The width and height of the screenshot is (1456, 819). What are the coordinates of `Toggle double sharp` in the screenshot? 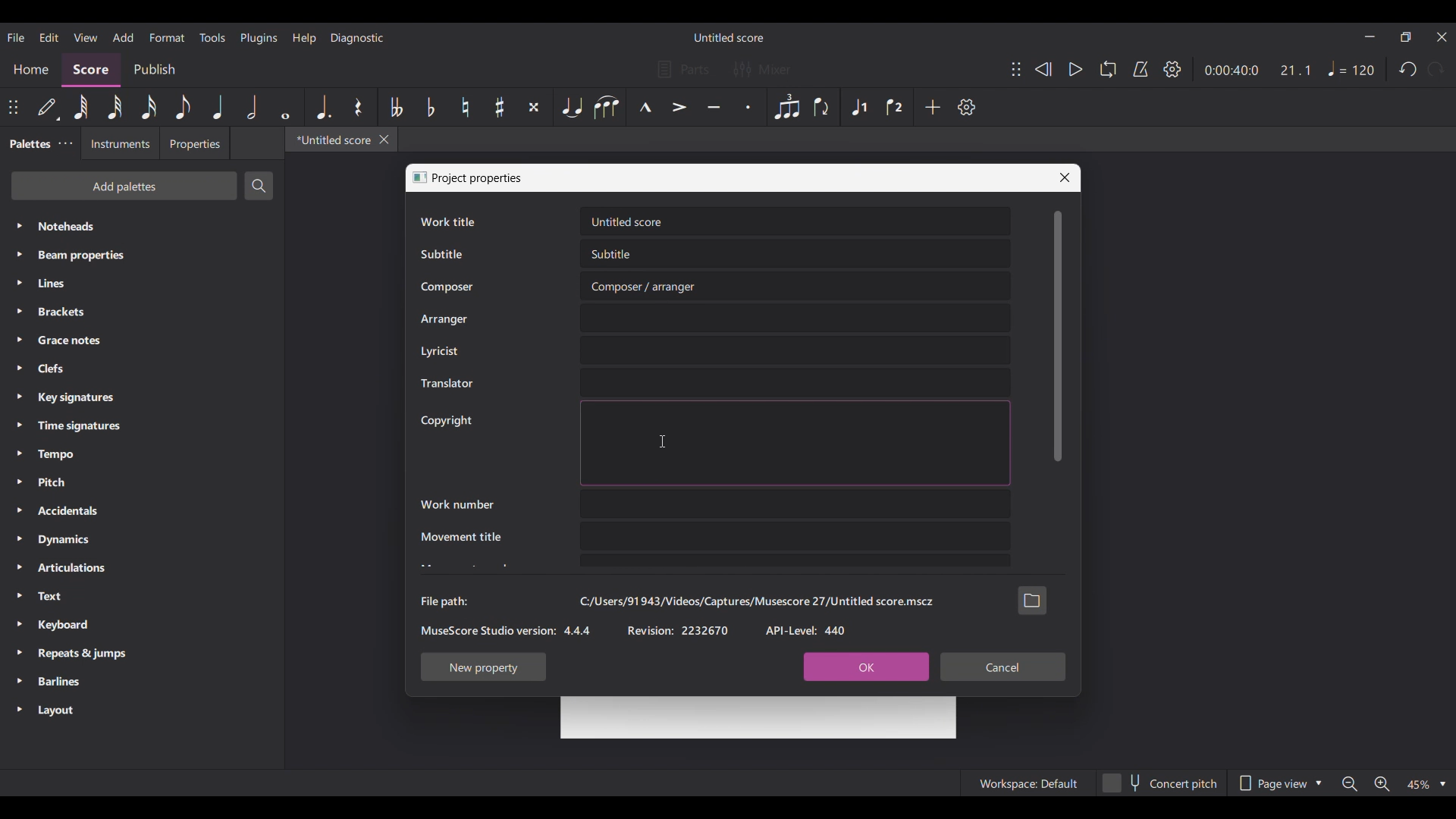 It's located at (534, 107).